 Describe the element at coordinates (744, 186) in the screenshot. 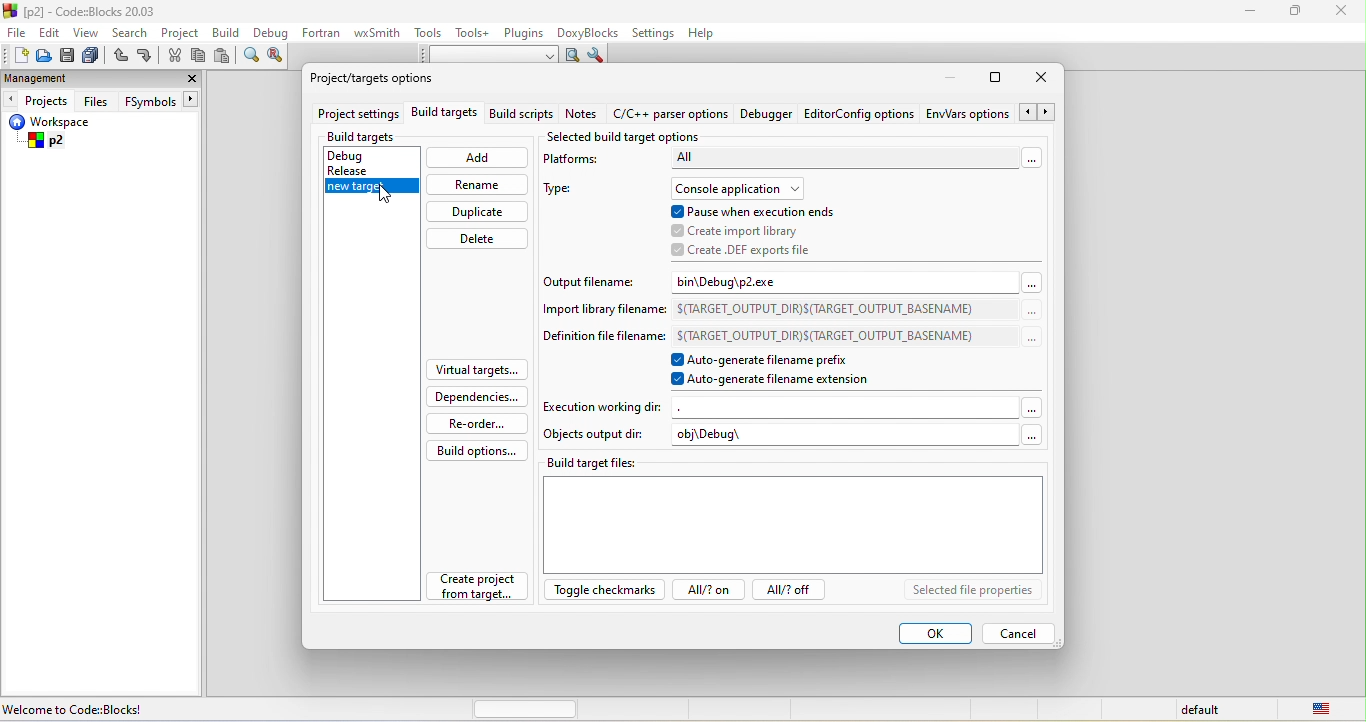

I see `console application` at that location.